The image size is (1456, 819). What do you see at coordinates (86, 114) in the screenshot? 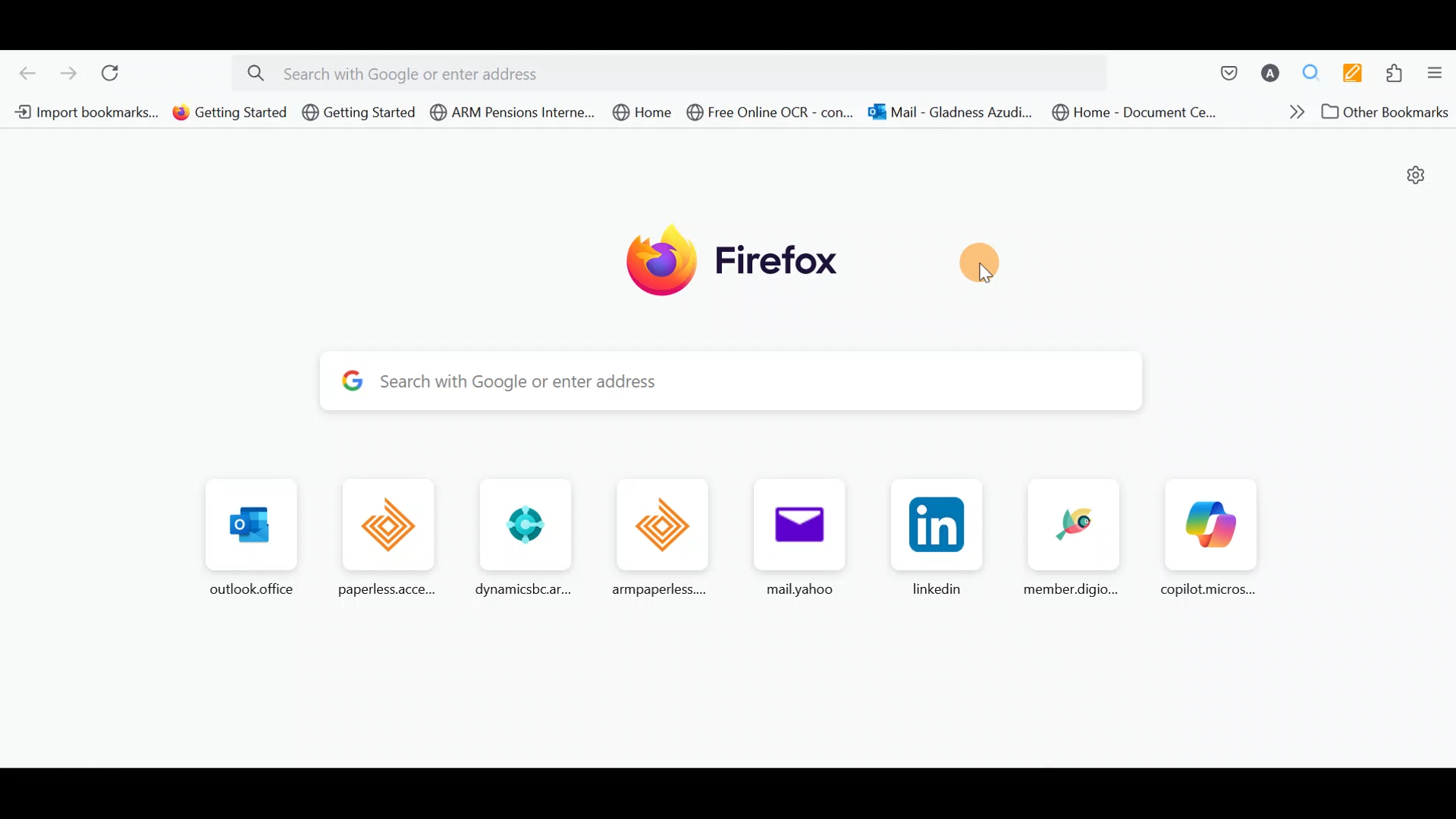
I see `Bookmark 1` at bounding box center [86, 114].